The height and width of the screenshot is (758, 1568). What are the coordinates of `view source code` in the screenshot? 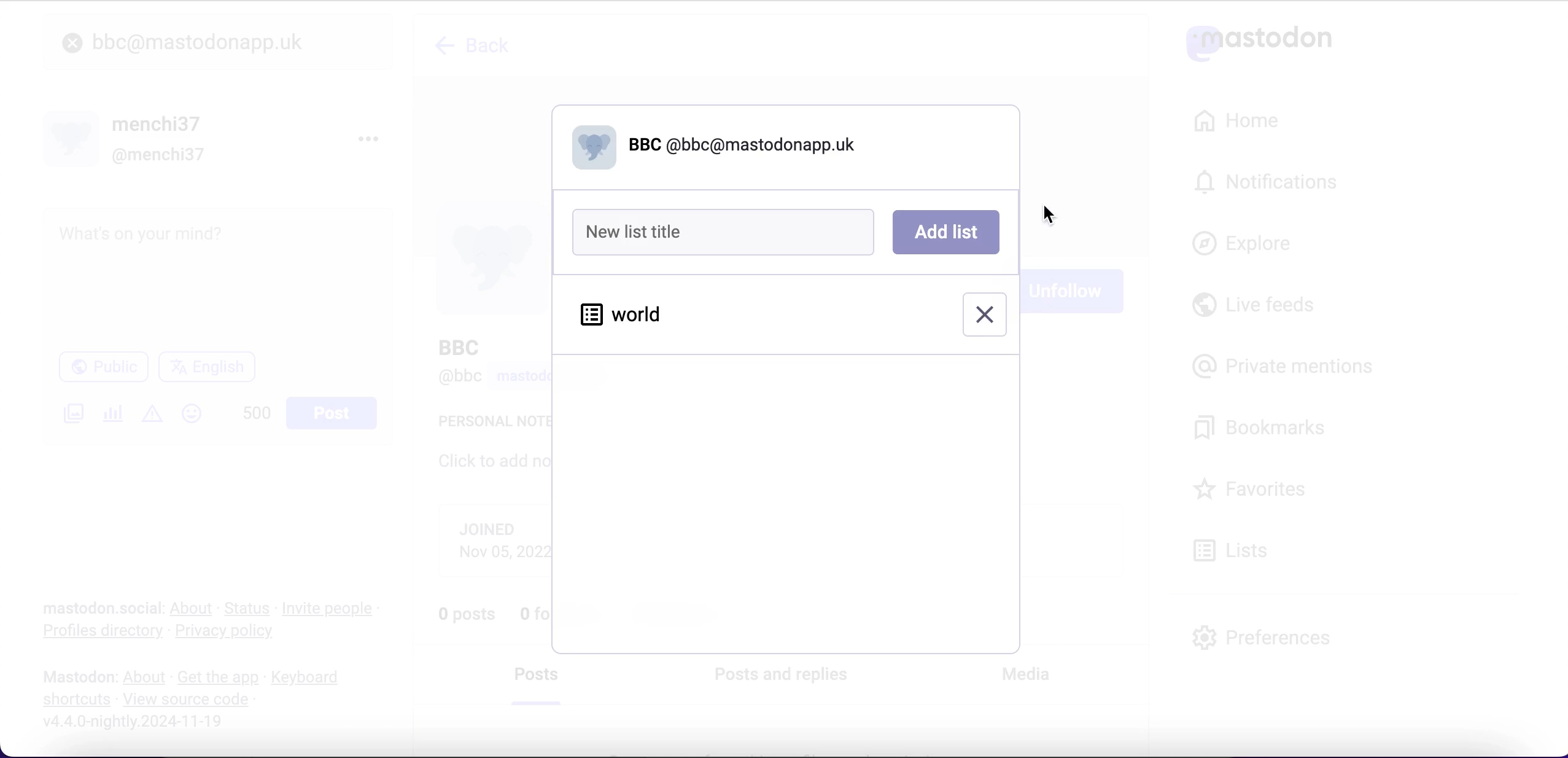 It's located at (190, 700).